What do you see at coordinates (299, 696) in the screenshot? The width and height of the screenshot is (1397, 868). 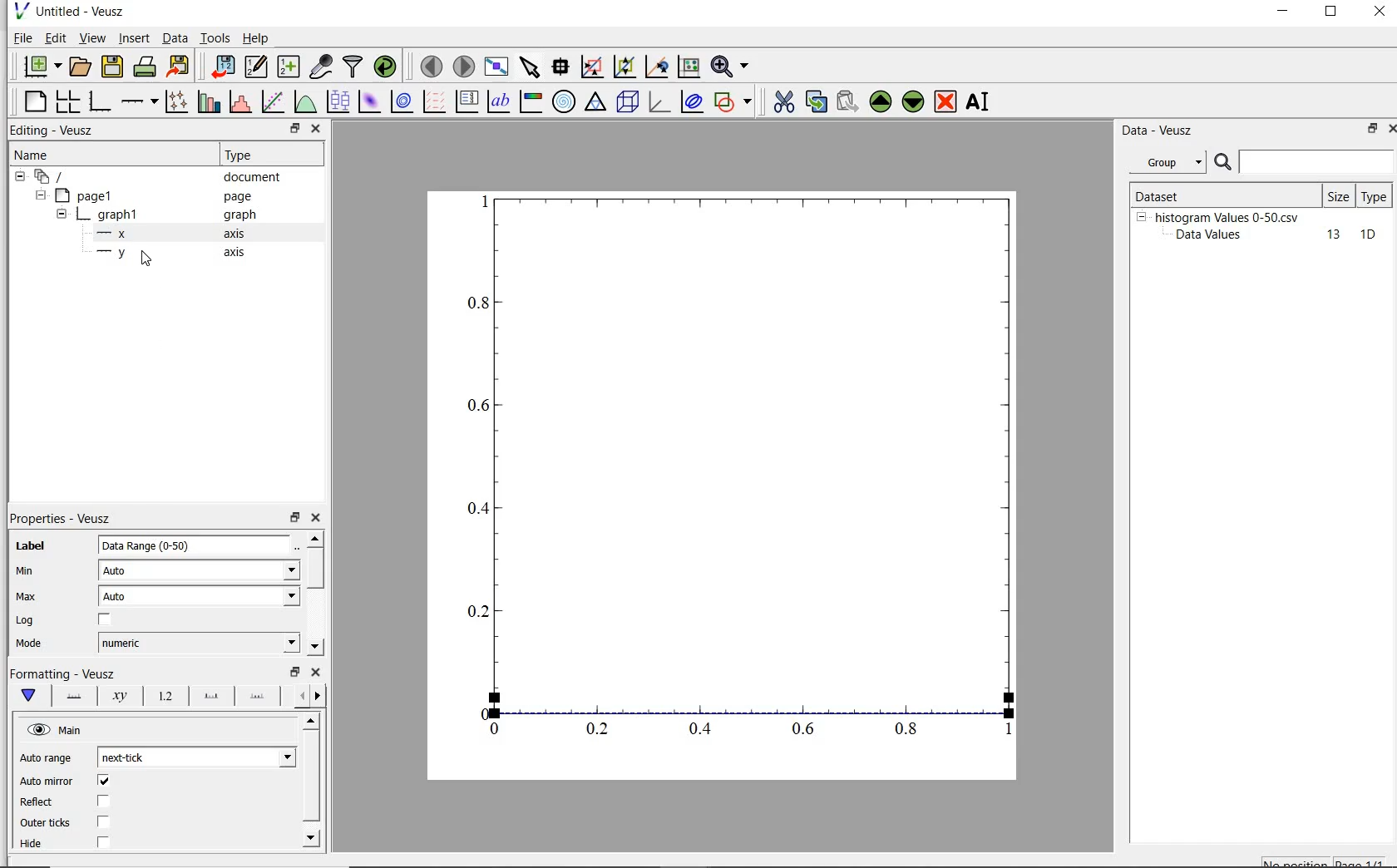 I see `previous options` at bounding box center [299, 696].